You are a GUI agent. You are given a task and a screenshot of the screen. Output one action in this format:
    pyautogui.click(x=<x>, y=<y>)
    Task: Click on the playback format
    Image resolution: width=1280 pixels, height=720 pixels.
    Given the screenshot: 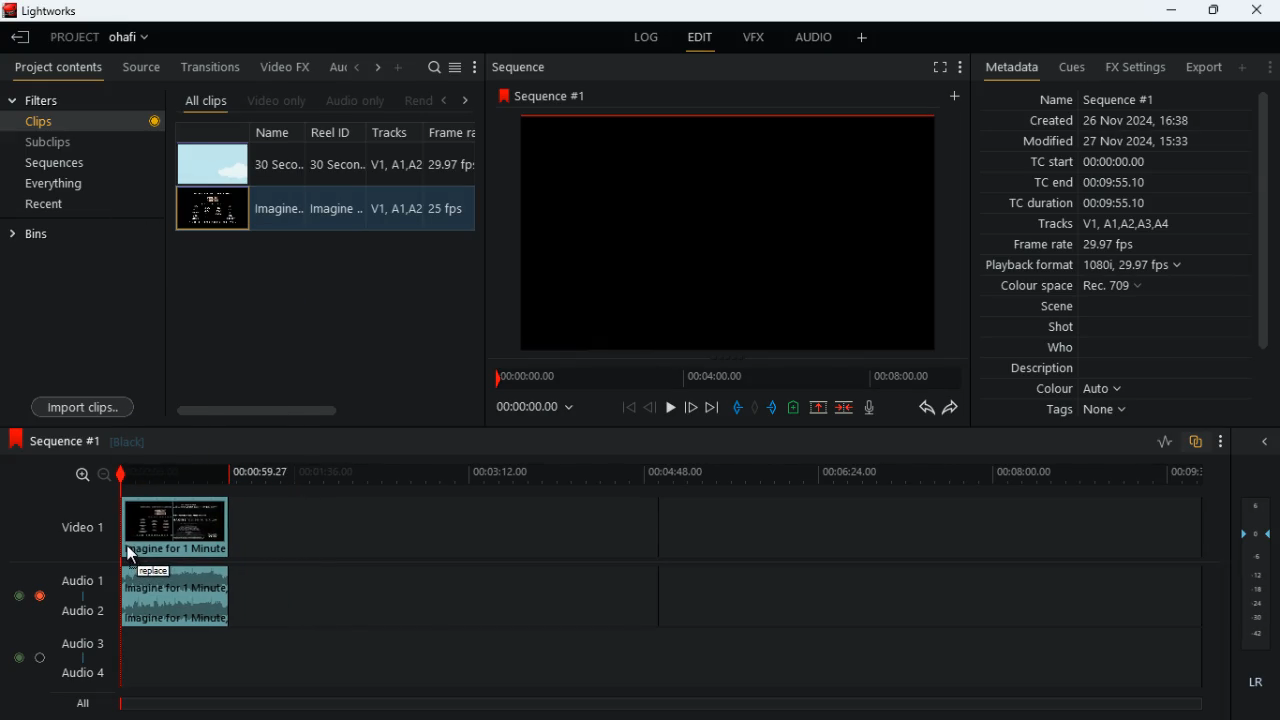 What is the action you would take?
    pyautogui.click(x=1086, y=265)
    